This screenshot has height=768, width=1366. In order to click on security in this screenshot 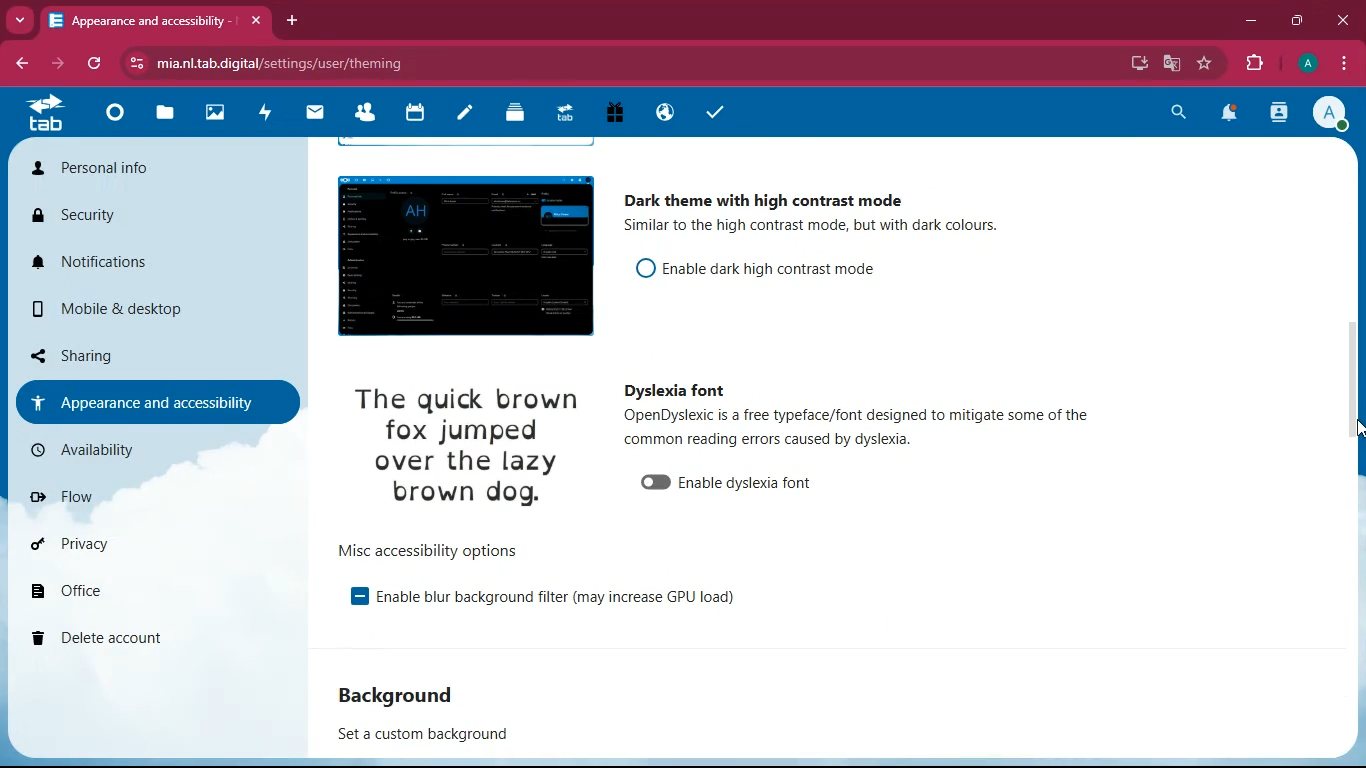, I will do `click(131, 214)`.